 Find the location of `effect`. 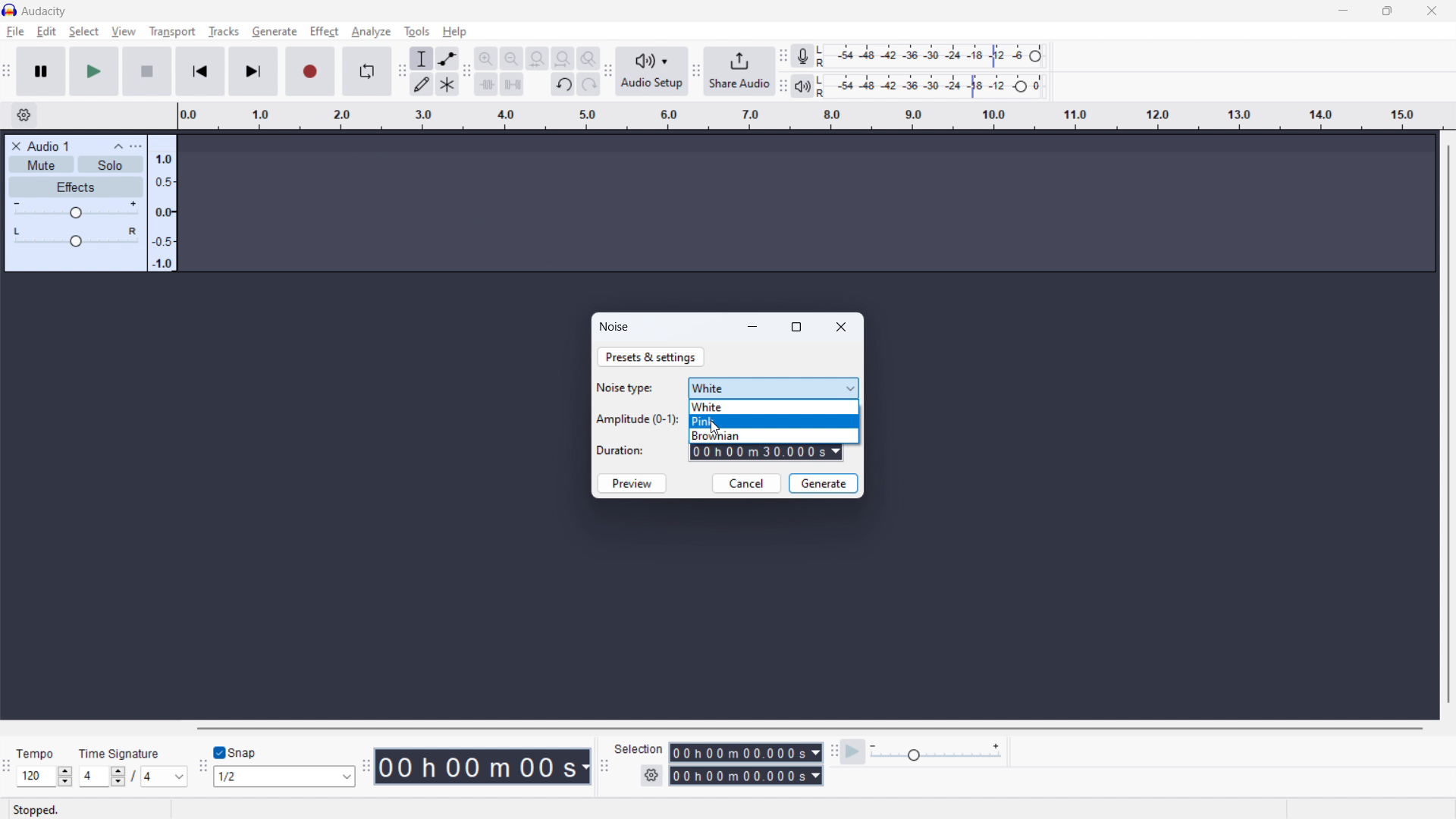

effect is located at coordinates (324, 32).